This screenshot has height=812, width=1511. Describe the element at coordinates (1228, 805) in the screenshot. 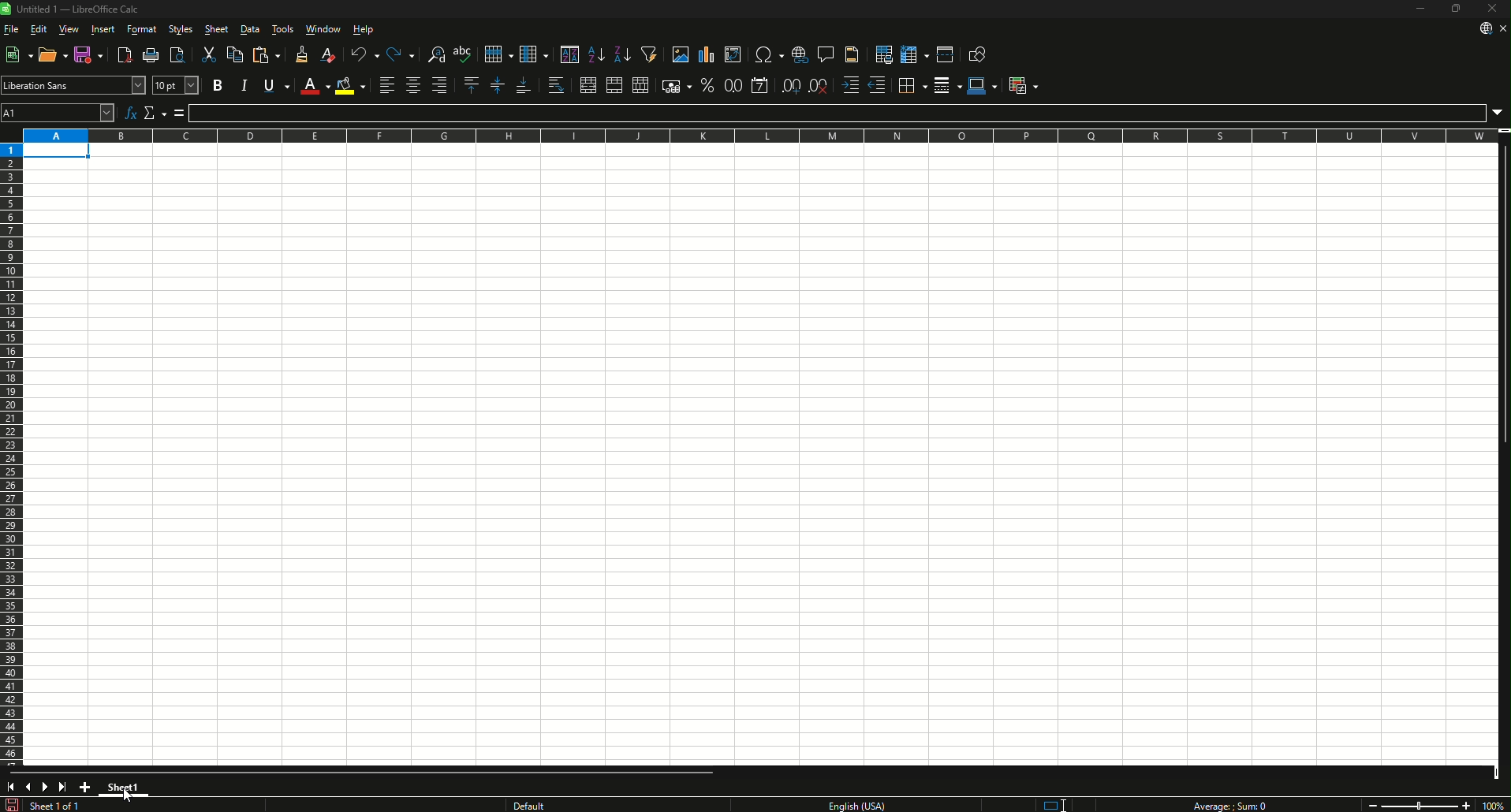

I see `Text` at that location.